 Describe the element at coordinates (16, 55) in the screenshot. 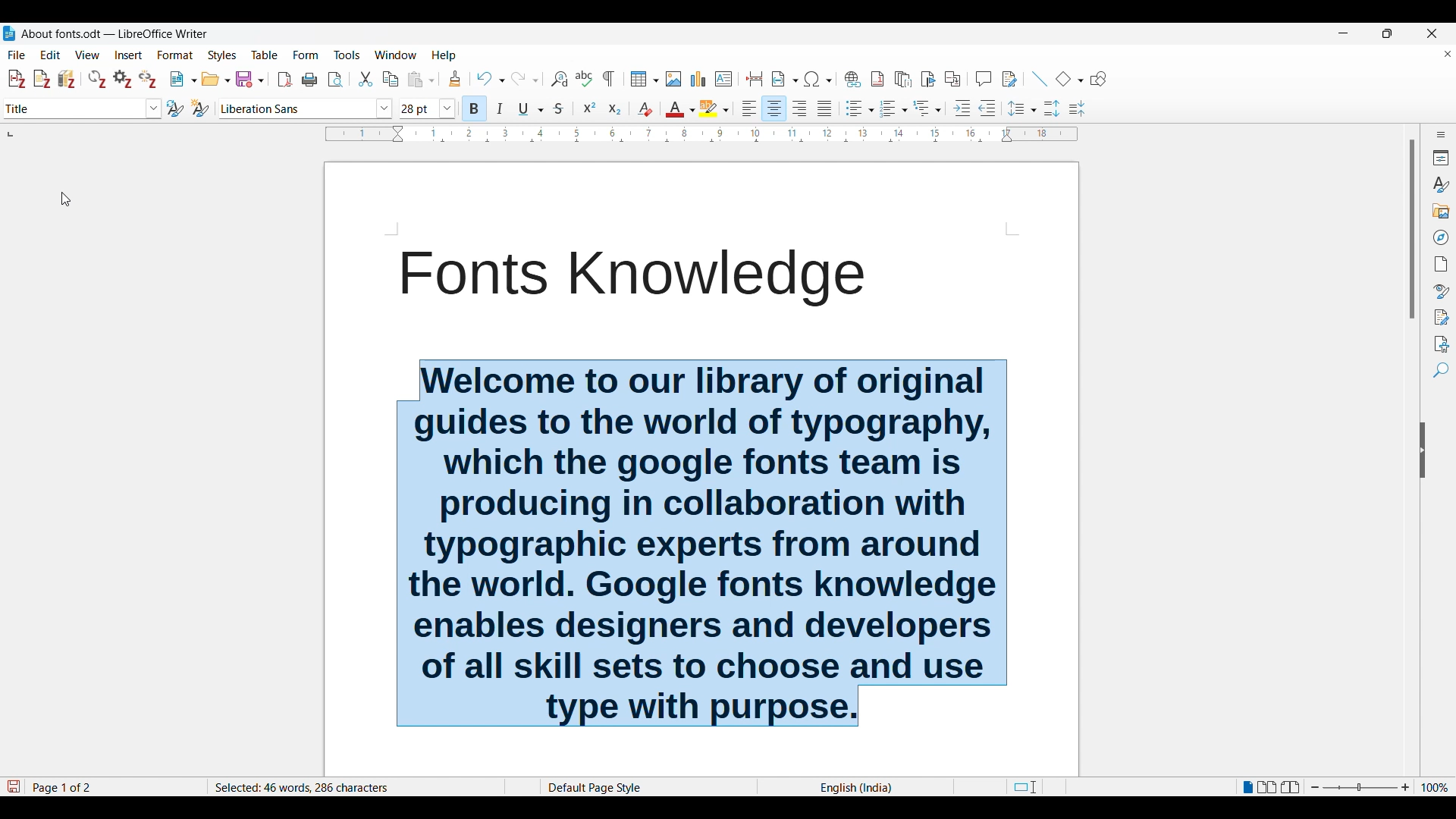

I see `File menu` at that location.